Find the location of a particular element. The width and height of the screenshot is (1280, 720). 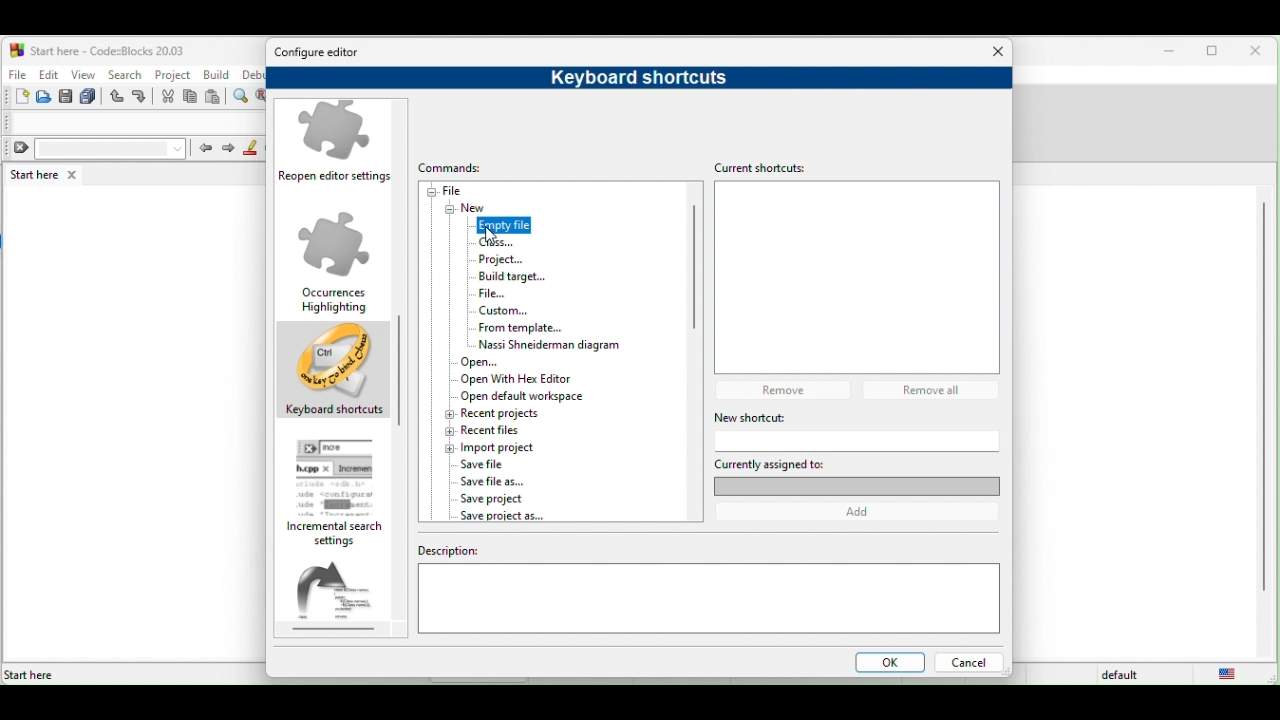

save everything is located at coordinates (90, 97).